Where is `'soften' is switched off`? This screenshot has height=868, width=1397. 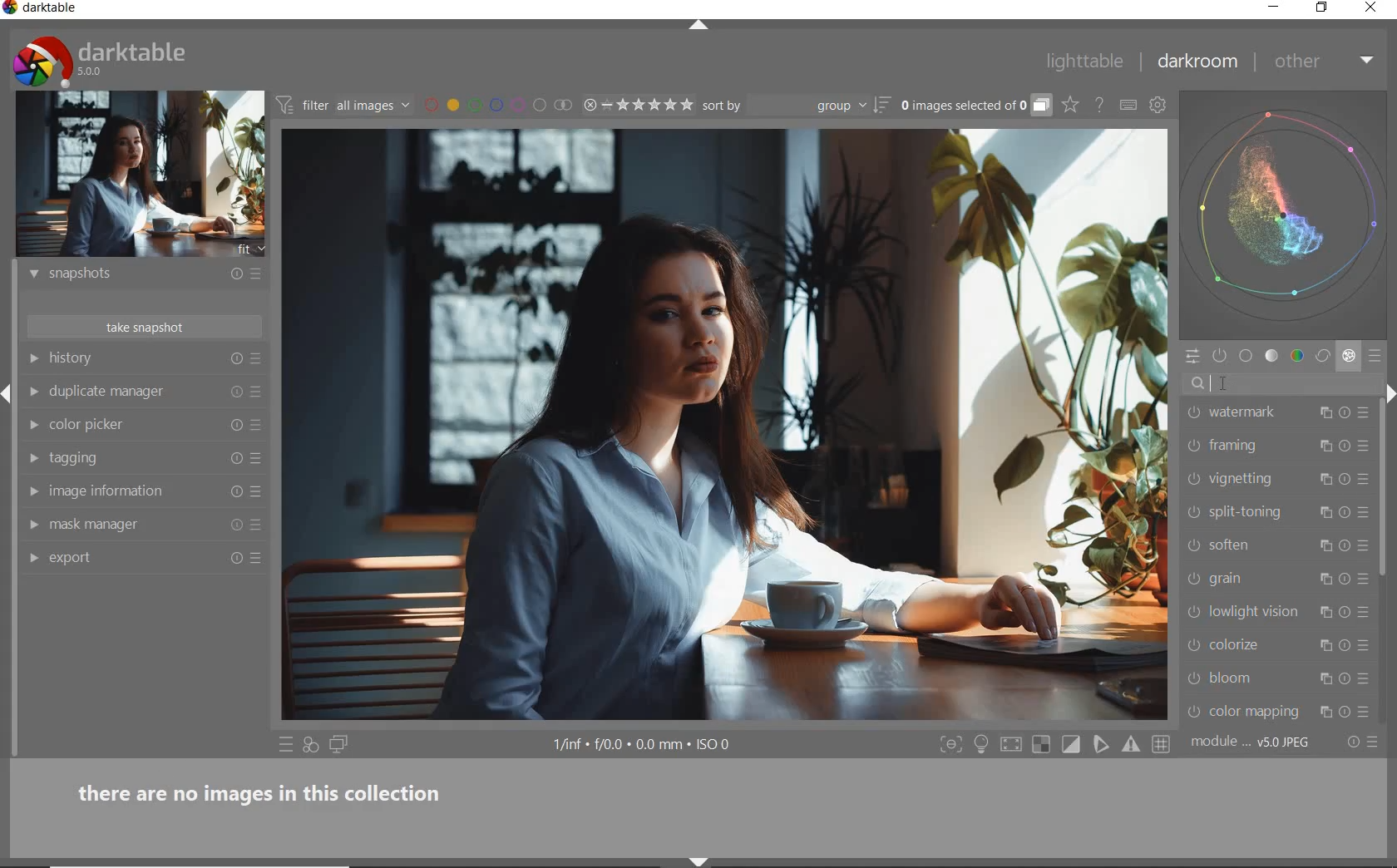 'soften' is switched off is located at coordinates (1190, 545).